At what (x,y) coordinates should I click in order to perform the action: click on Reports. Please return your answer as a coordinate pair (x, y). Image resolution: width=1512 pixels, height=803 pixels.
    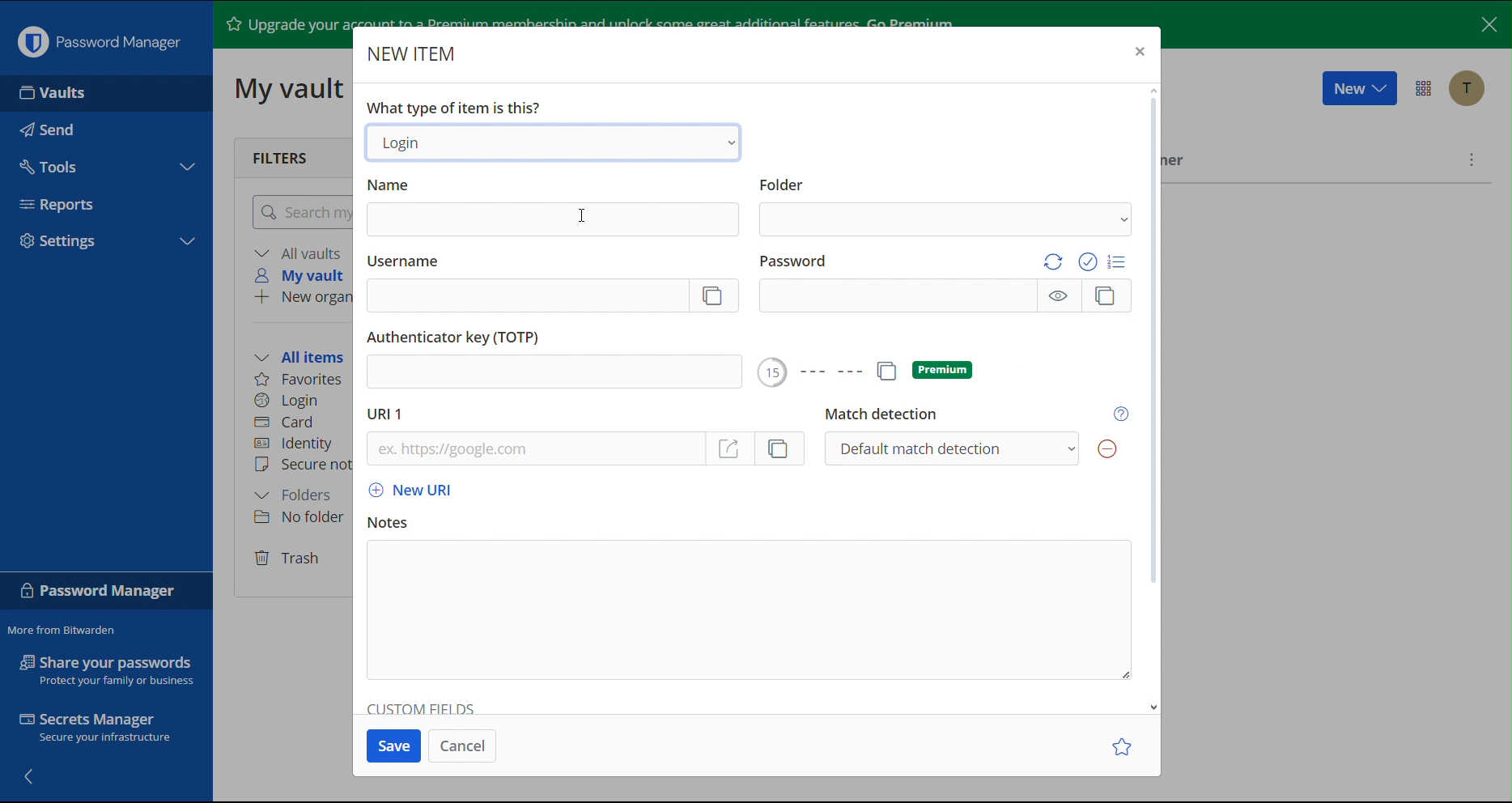
    Looking at the image, I should click on (103, 206).